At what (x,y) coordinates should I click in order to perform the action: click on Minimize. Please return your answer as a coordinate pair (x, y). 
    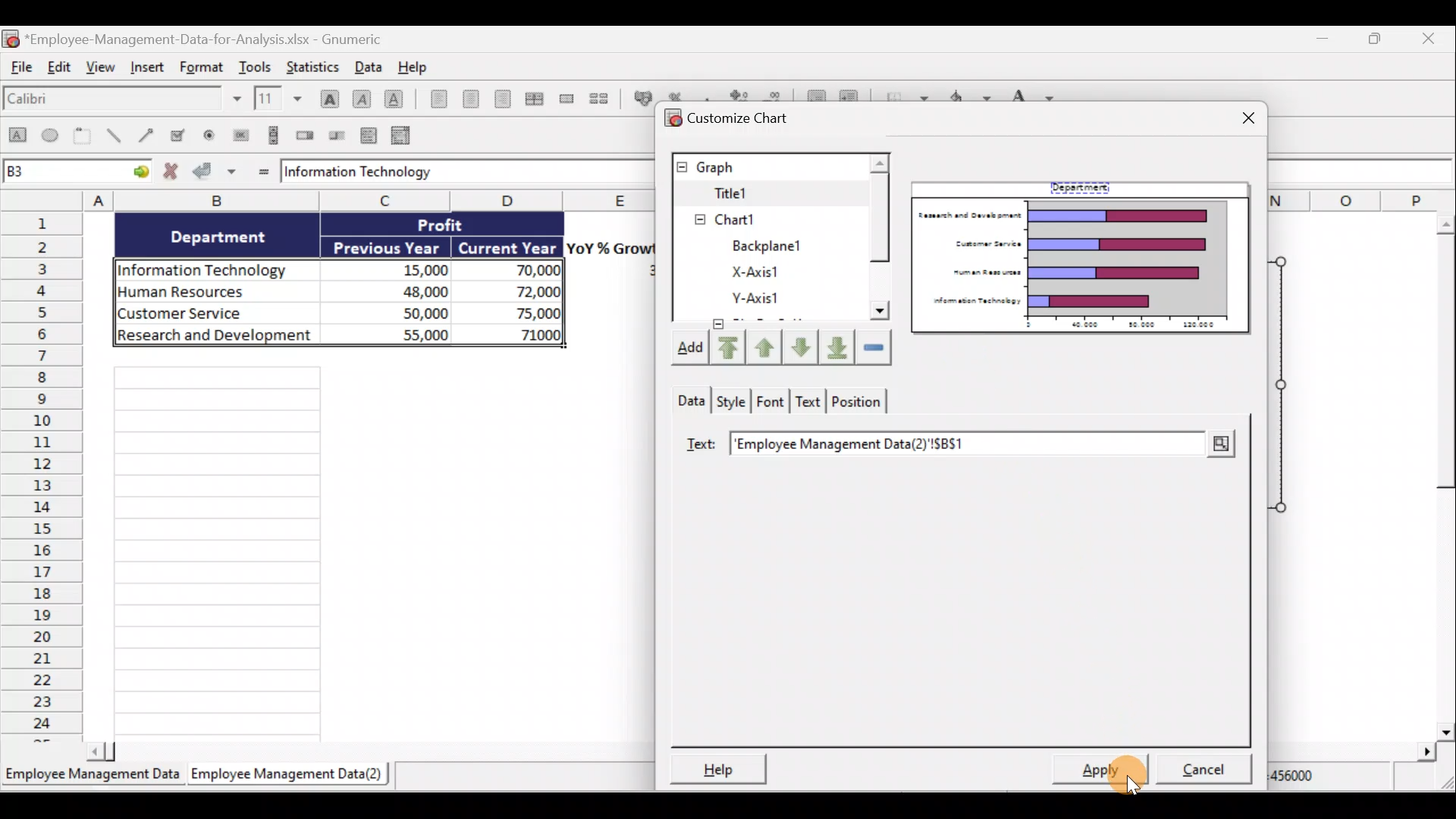
    Looking at the image, I should click on (1322, 39).